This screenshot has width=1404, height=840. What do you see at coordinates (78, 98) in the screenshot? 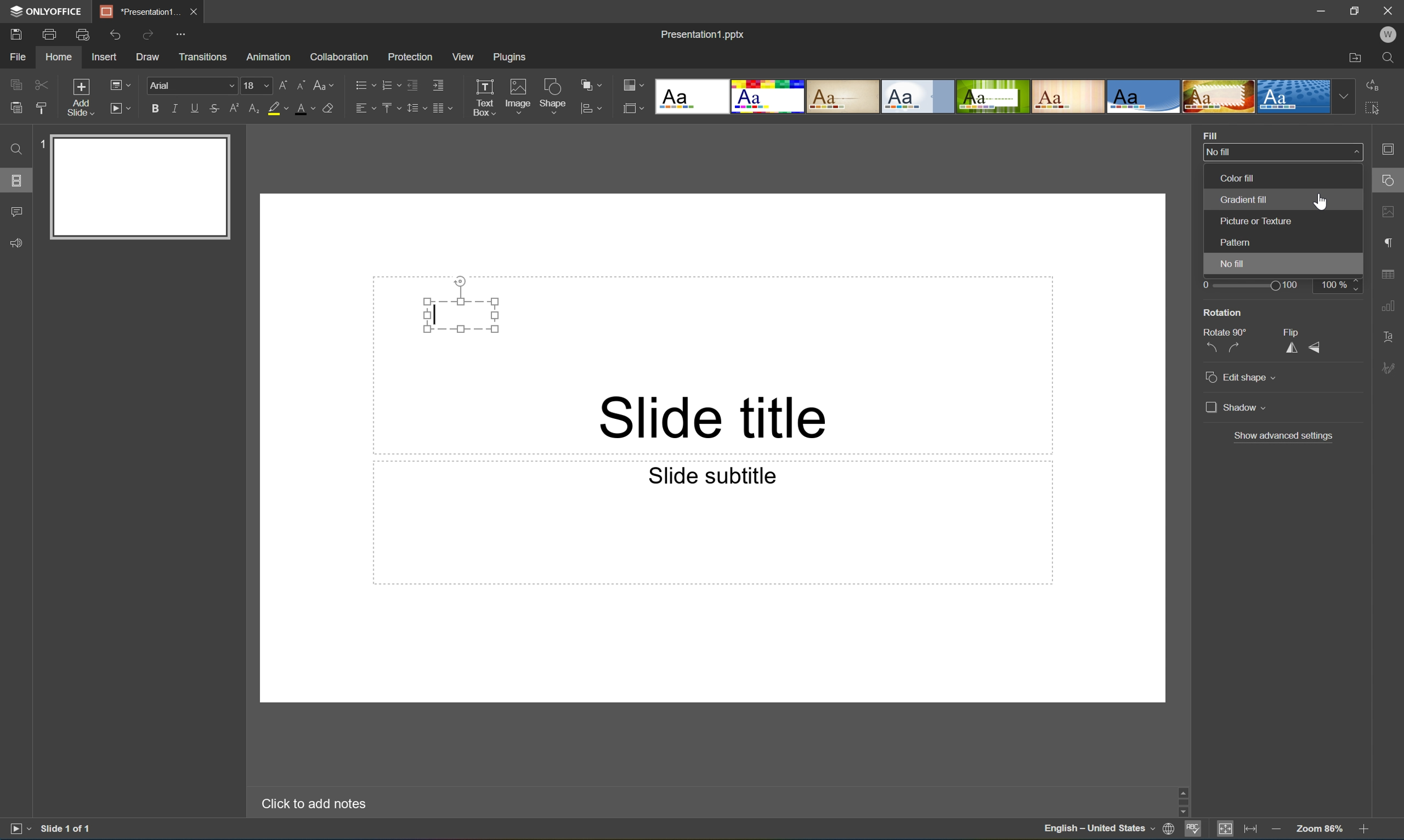
I see `Add slide` at bounding box center [78, 98].